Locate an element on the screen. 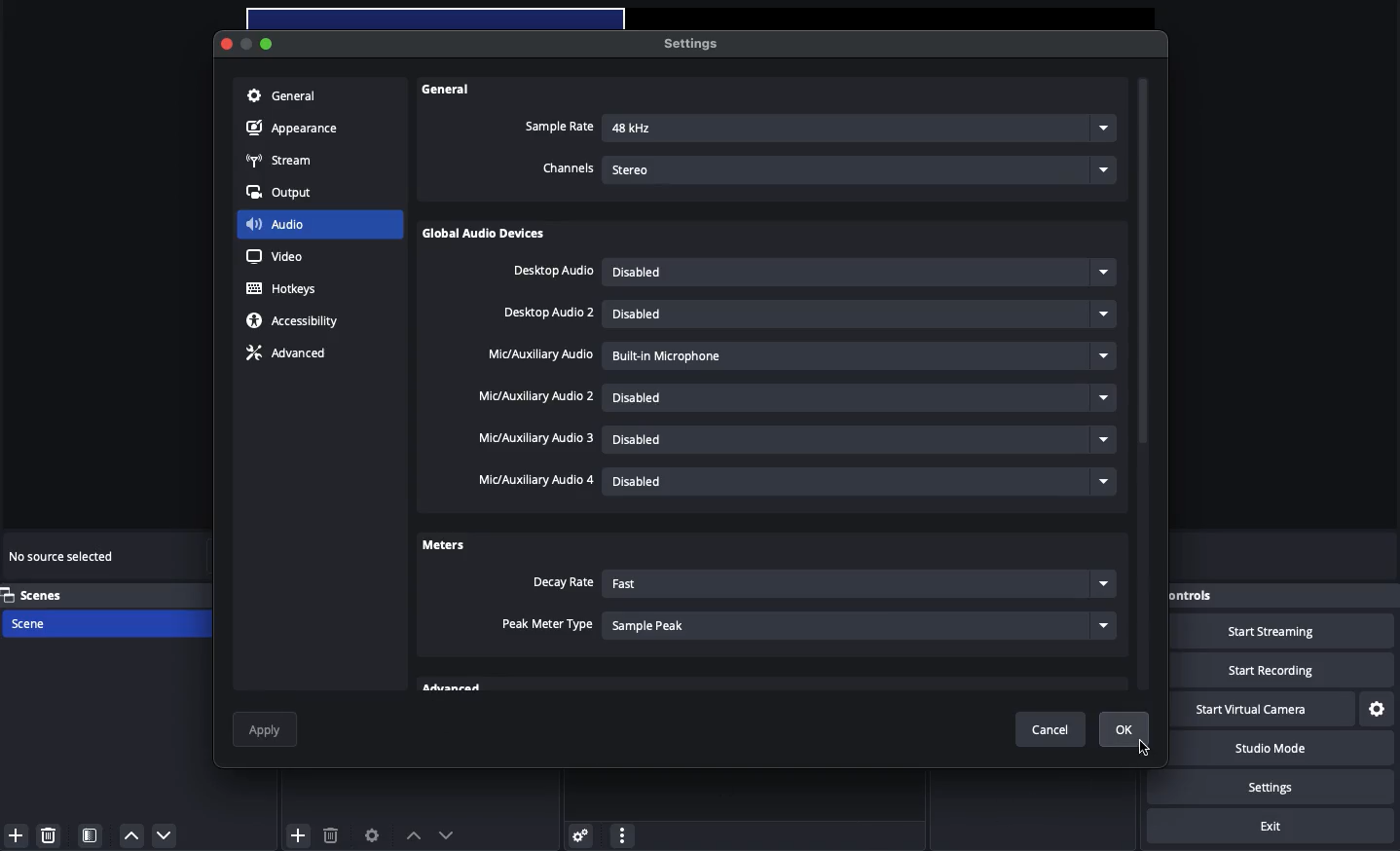 This screenshot has height=851, width=1400. Settings is located at coordinates (1287, 787).